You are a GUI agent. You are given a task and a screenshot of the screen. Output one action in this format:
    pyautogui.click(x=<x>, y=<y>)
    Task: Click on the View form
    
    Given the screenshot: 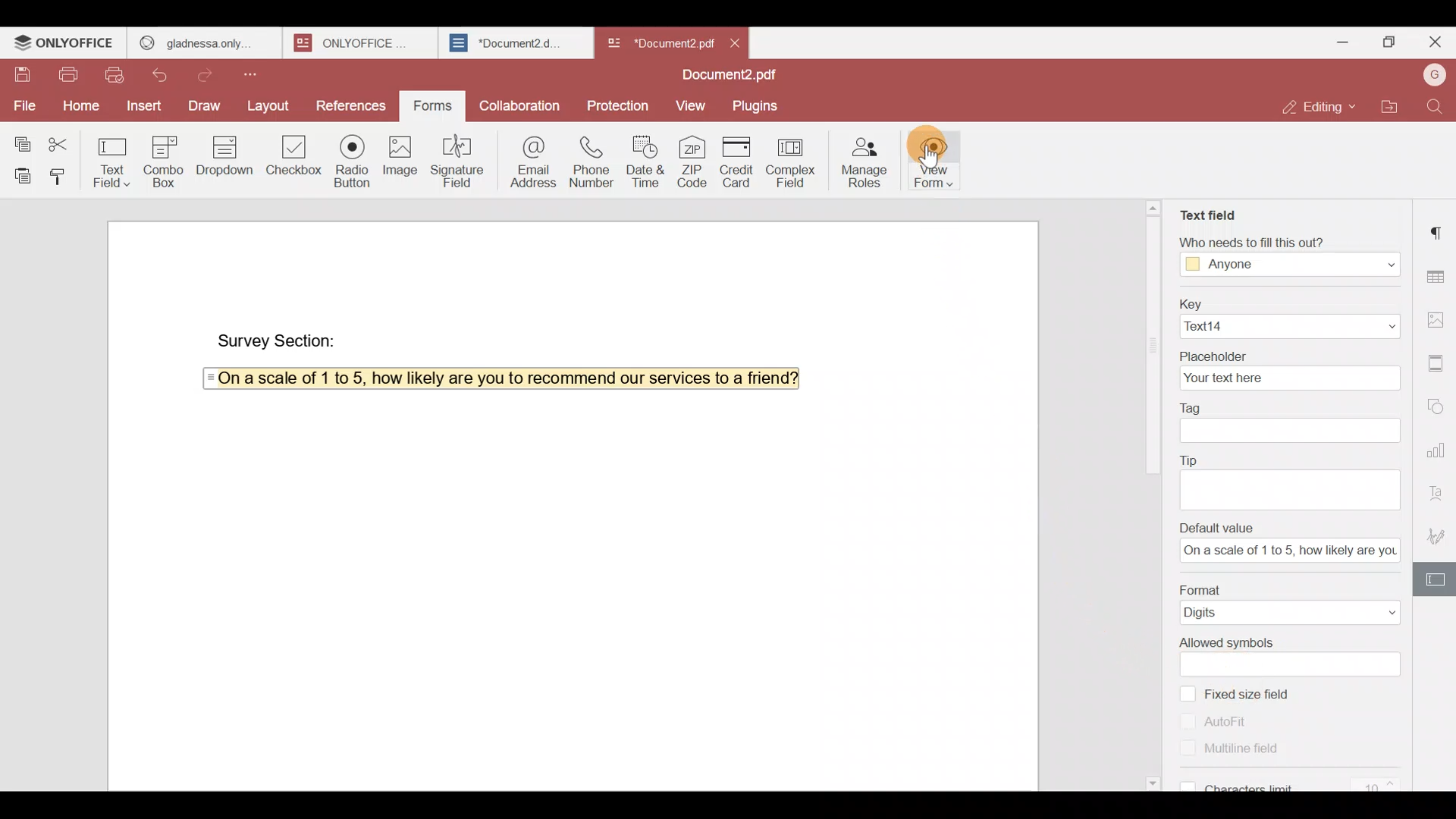 What is the action you would take?
    pyautogui.click(x=938, y=159)
    